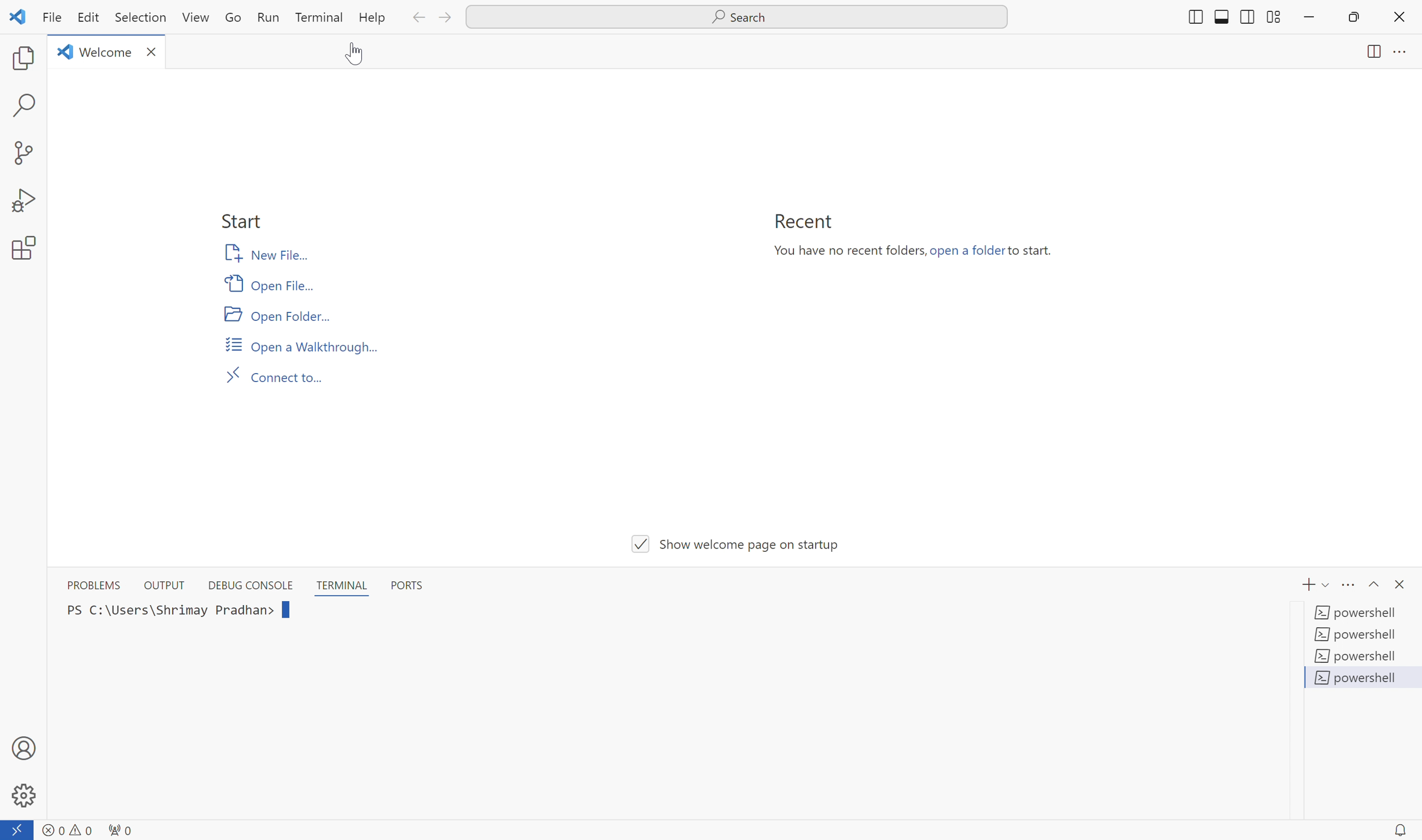 The image size is (1422, 840). Describe the element at coordinates (26, 106) in the screenshot. I see `search` at that location.